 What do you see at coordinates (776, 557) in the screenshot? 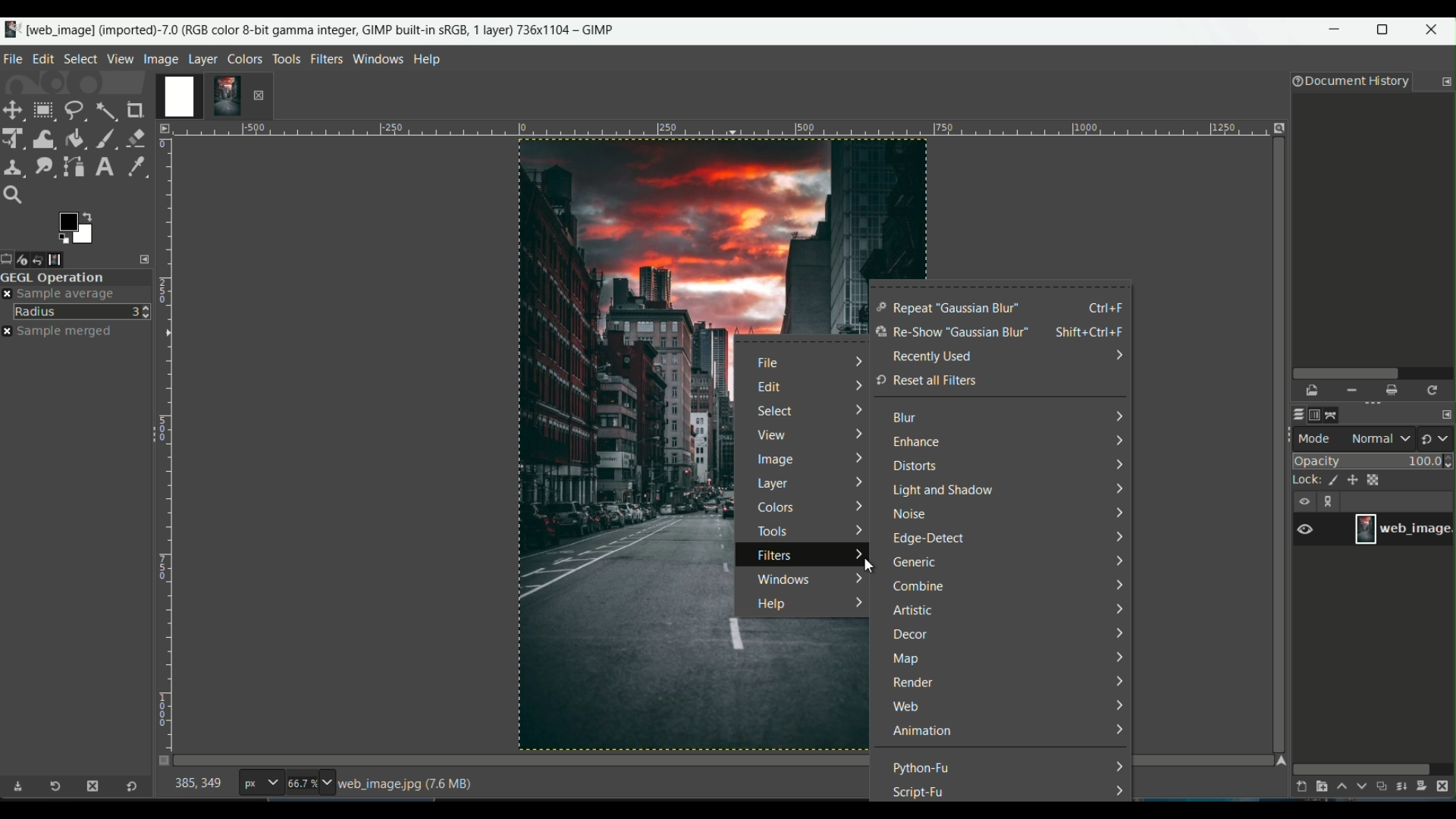
I see `filters` at bounding box center [776, 557].